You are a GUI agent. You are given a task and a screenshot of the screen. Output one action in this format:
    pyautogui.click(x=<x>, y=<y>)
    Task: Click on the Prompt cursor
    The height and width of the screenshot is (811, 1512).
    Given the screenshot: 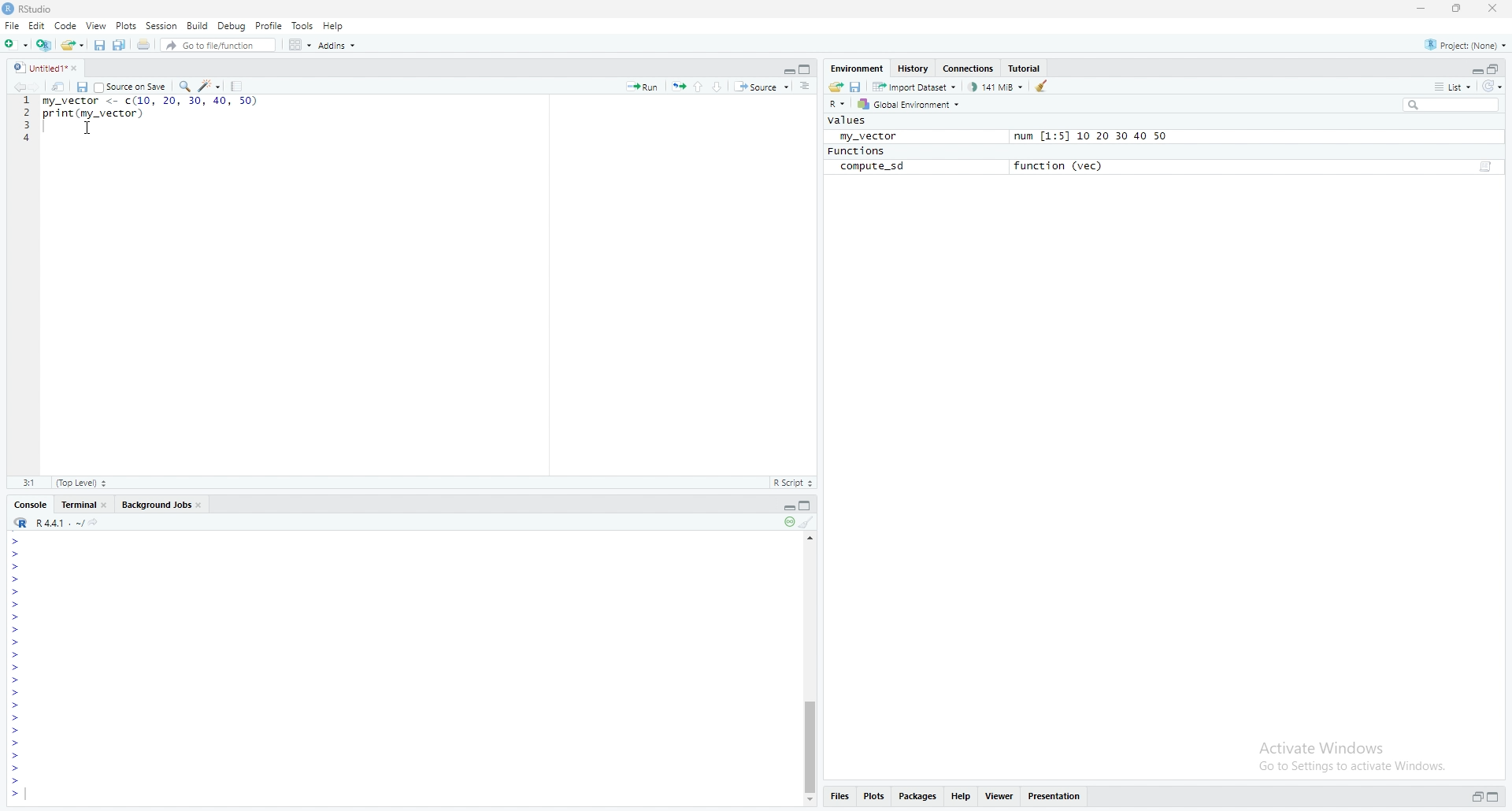 What is the action you would take?
    pyautogui.click(x=17, y=655)
    